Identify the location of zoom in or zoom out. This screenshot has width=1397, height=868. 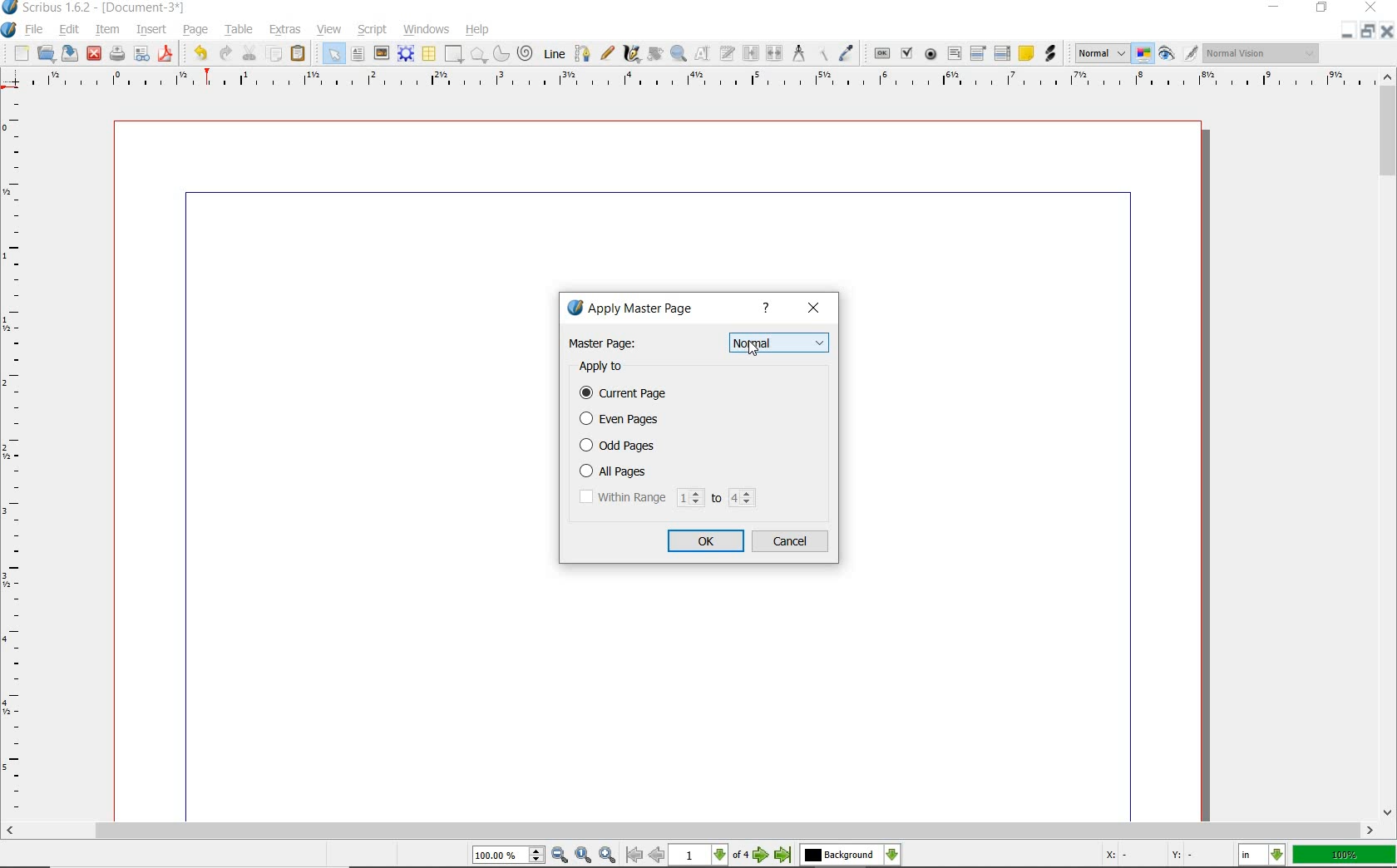
(678, 54).